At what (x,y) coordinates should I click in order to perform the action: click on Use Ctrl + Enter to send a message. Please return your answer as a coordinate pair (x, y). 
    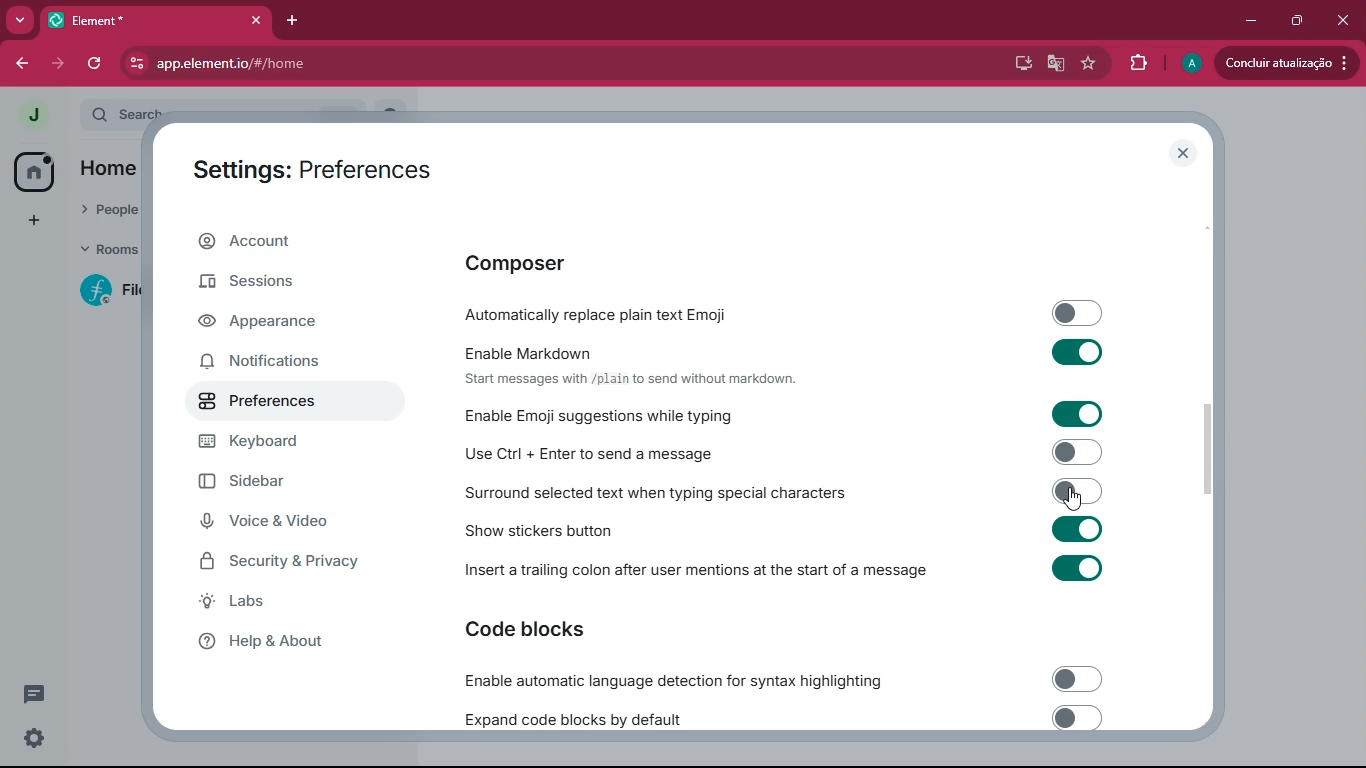
    Looking at the image, I should click on (787, 451).